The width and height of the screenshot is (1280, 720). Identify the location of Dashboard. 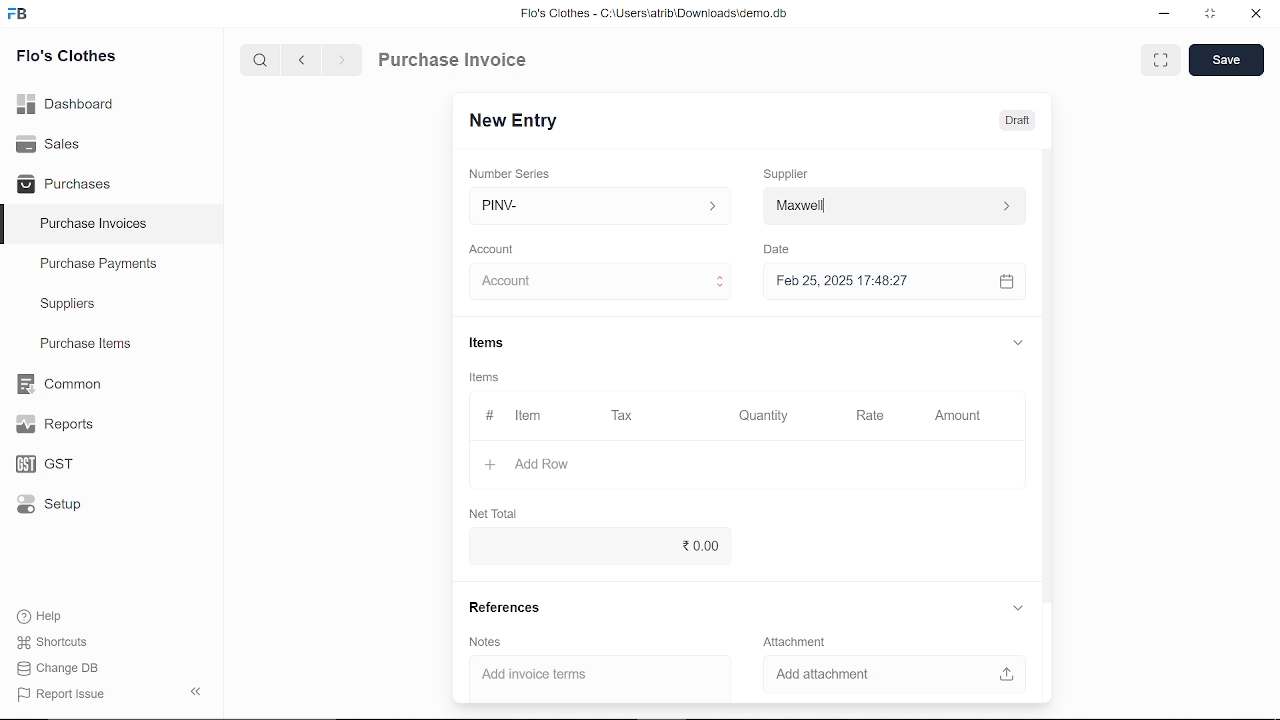
(66, 102).